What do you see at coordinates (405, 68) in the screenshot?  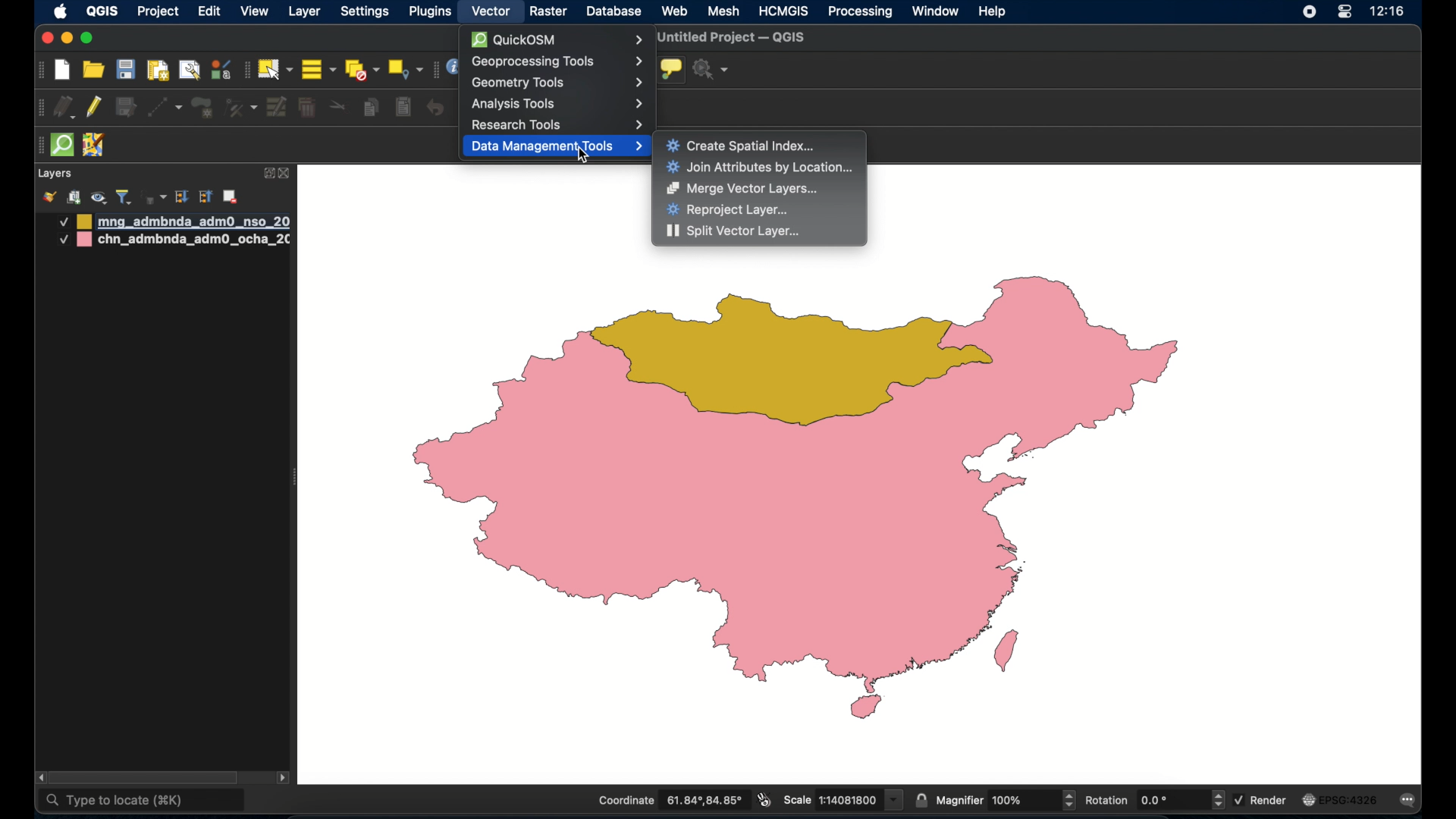 I see `select by location ` at bounding box center [405, 68].